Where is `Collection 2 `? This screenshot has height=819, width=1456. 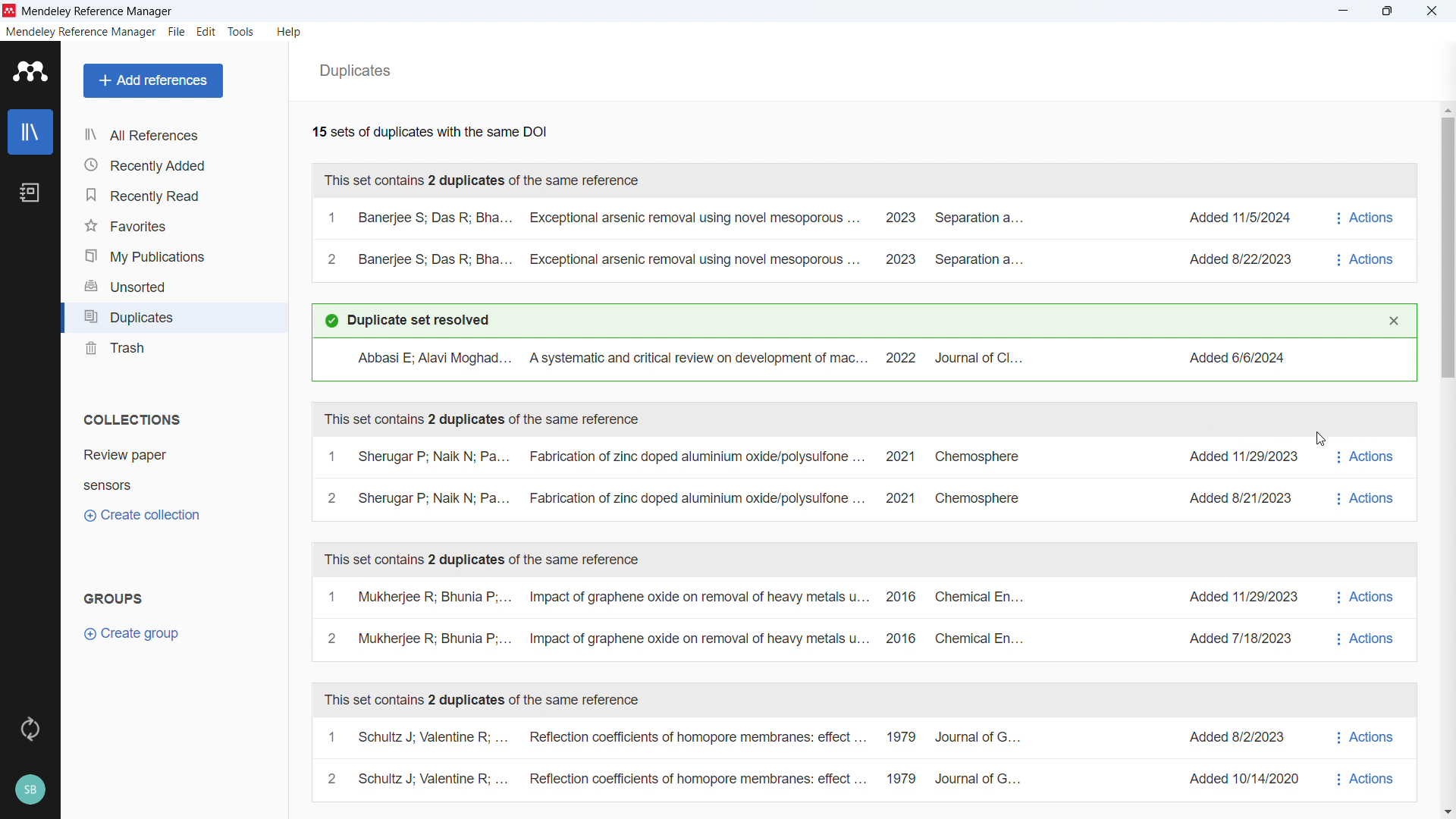
Collection 2  is located at coordinates (110, 485).